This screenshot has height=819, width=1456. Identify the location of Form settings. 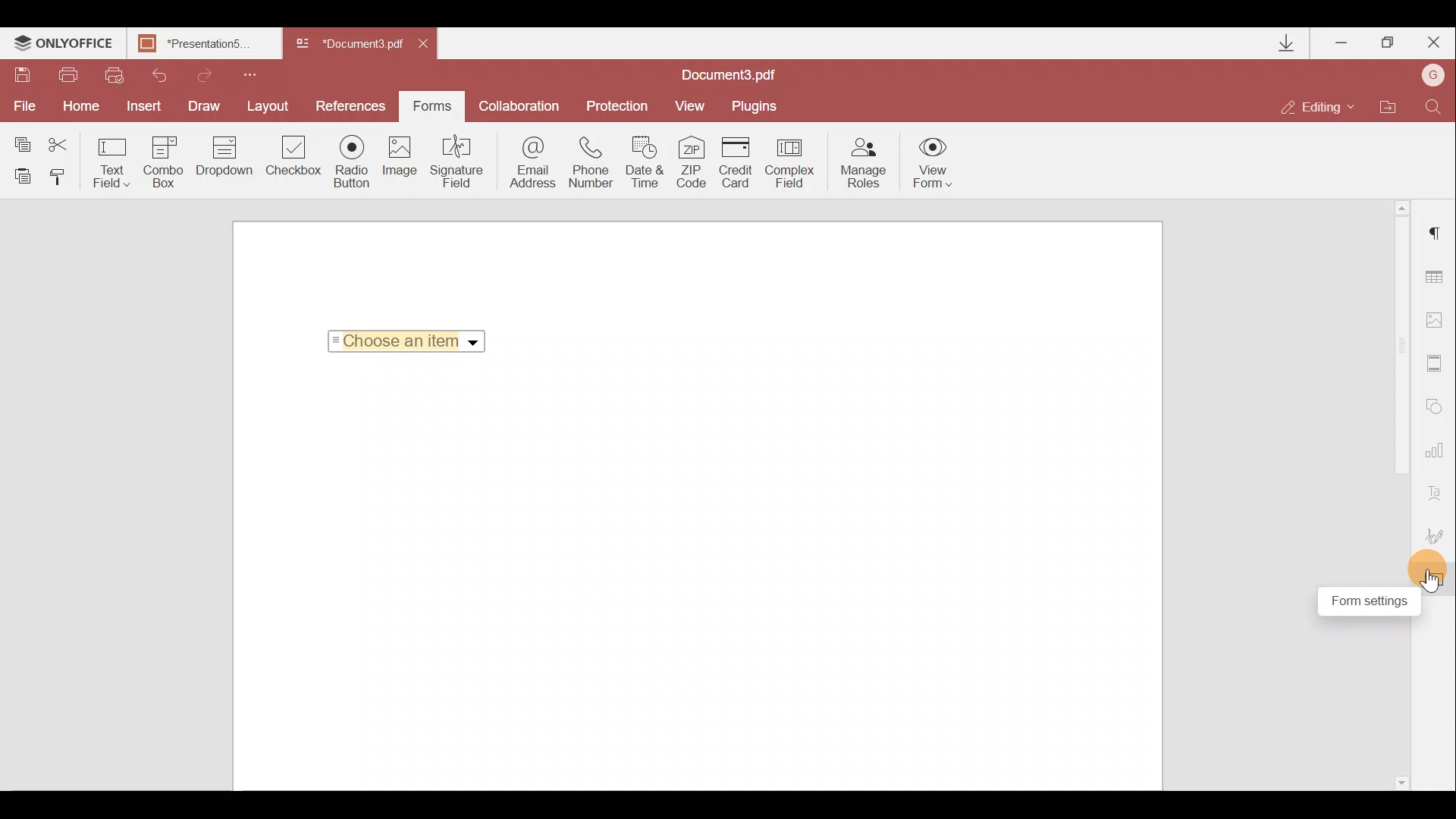
(1360, 600).